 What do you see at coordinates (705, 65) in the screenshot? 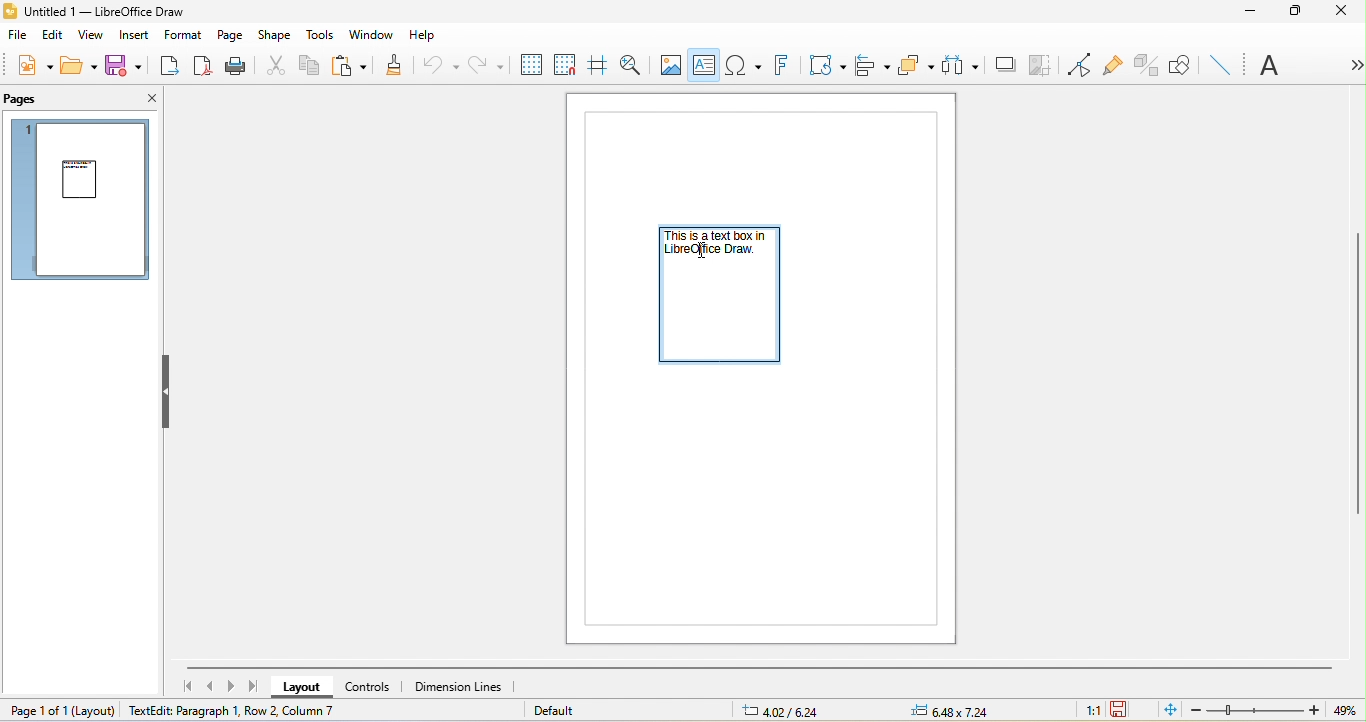
I see `text box` at bounding box center [705, 65].